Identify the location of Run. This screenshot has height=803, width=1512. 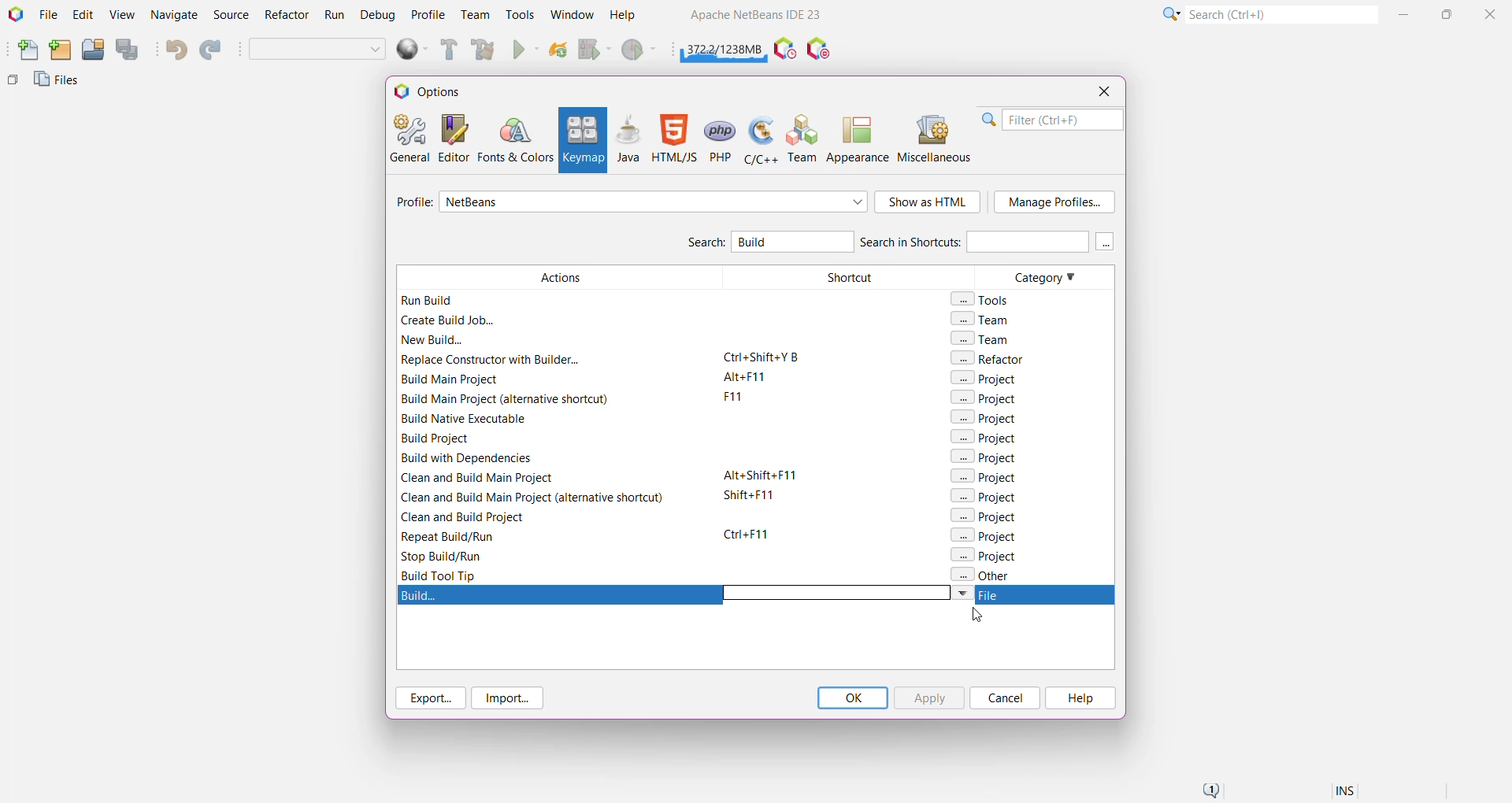
(526, 51).